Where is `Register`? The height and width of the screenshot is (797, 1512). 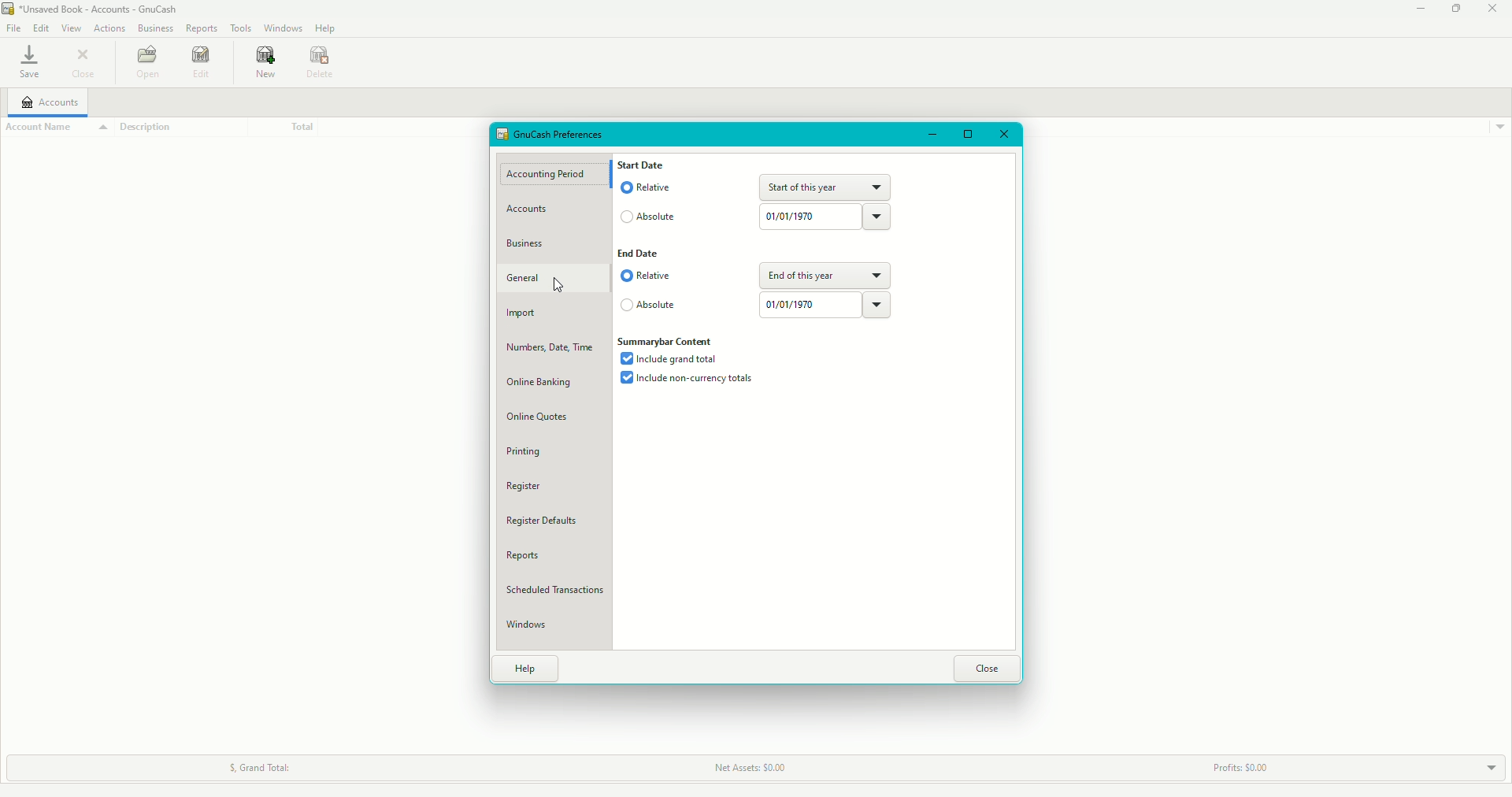 Register is located at coordinates (524, 487).